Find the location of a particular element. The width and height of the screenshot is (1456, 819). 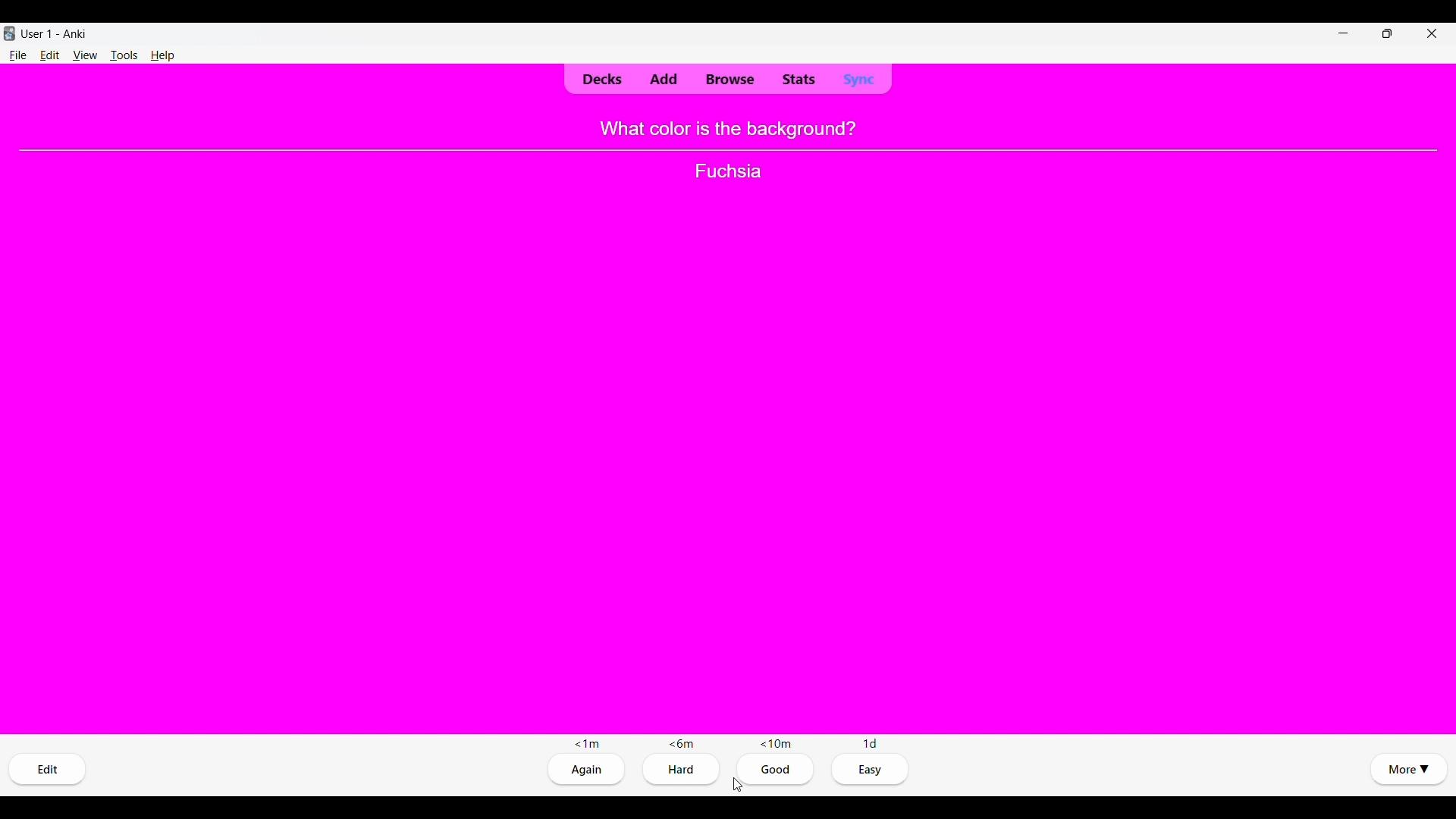

Cursor is located at coordinates (737, 784).